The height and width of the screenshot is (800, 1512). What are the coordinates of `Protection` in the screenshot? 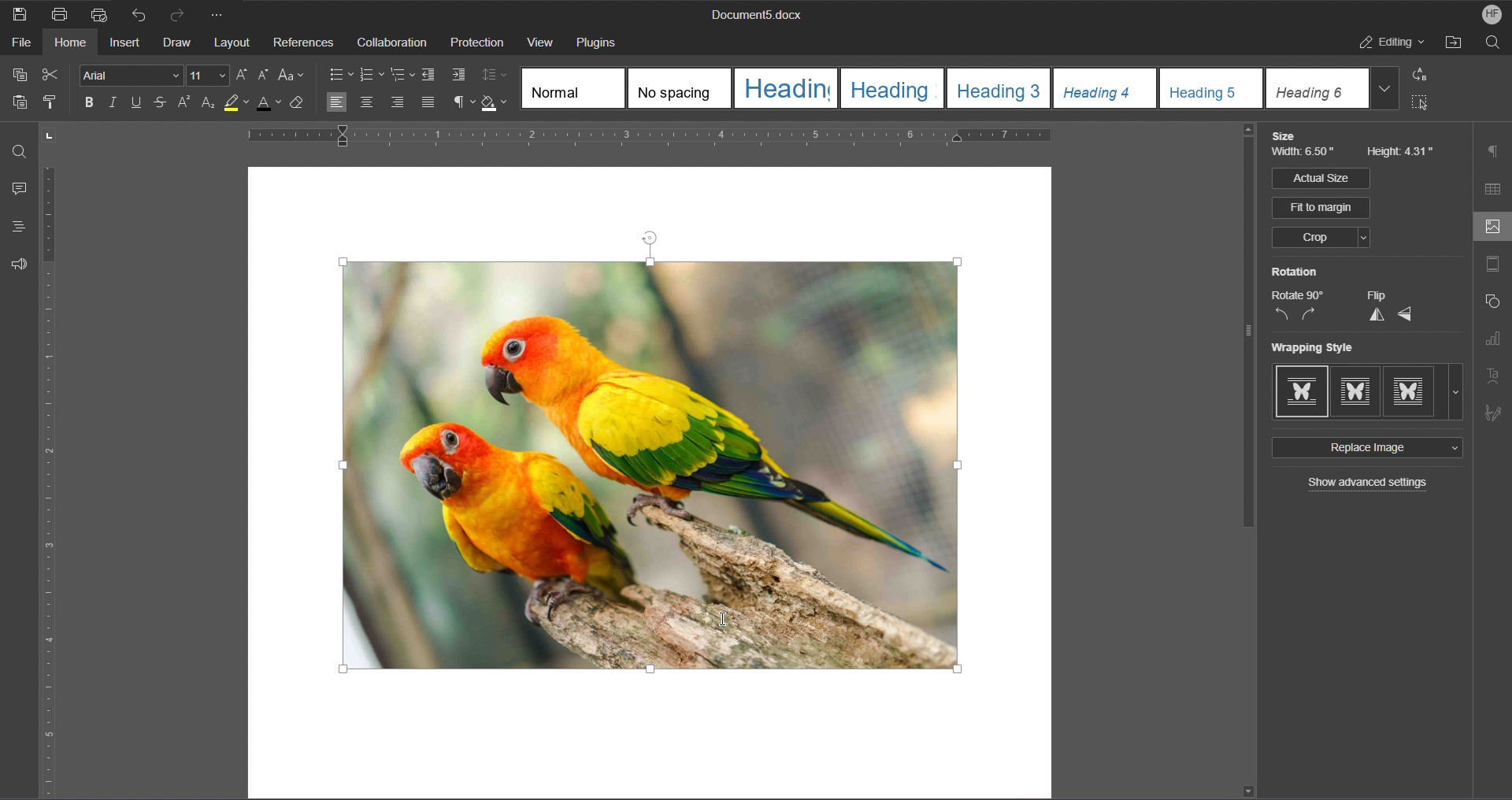 It's located at (477, 43).